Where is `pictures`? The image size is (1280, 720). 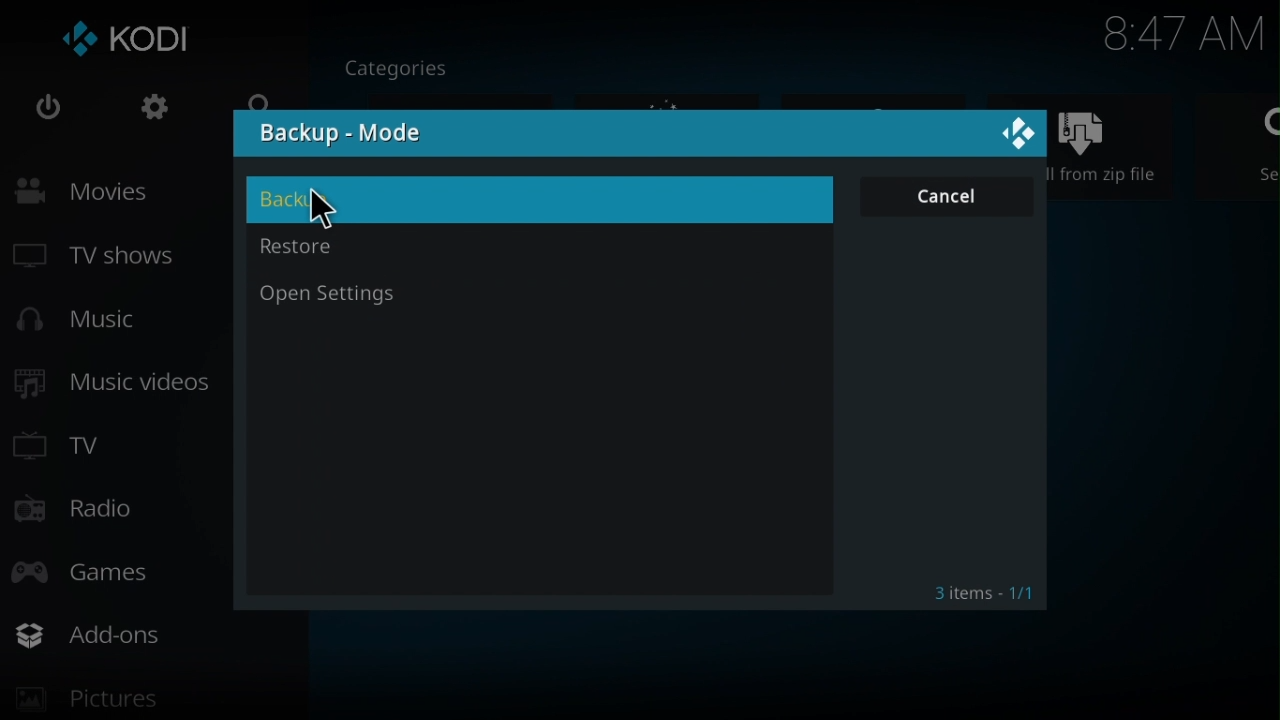 pictures is located at coordinates (146, 703).